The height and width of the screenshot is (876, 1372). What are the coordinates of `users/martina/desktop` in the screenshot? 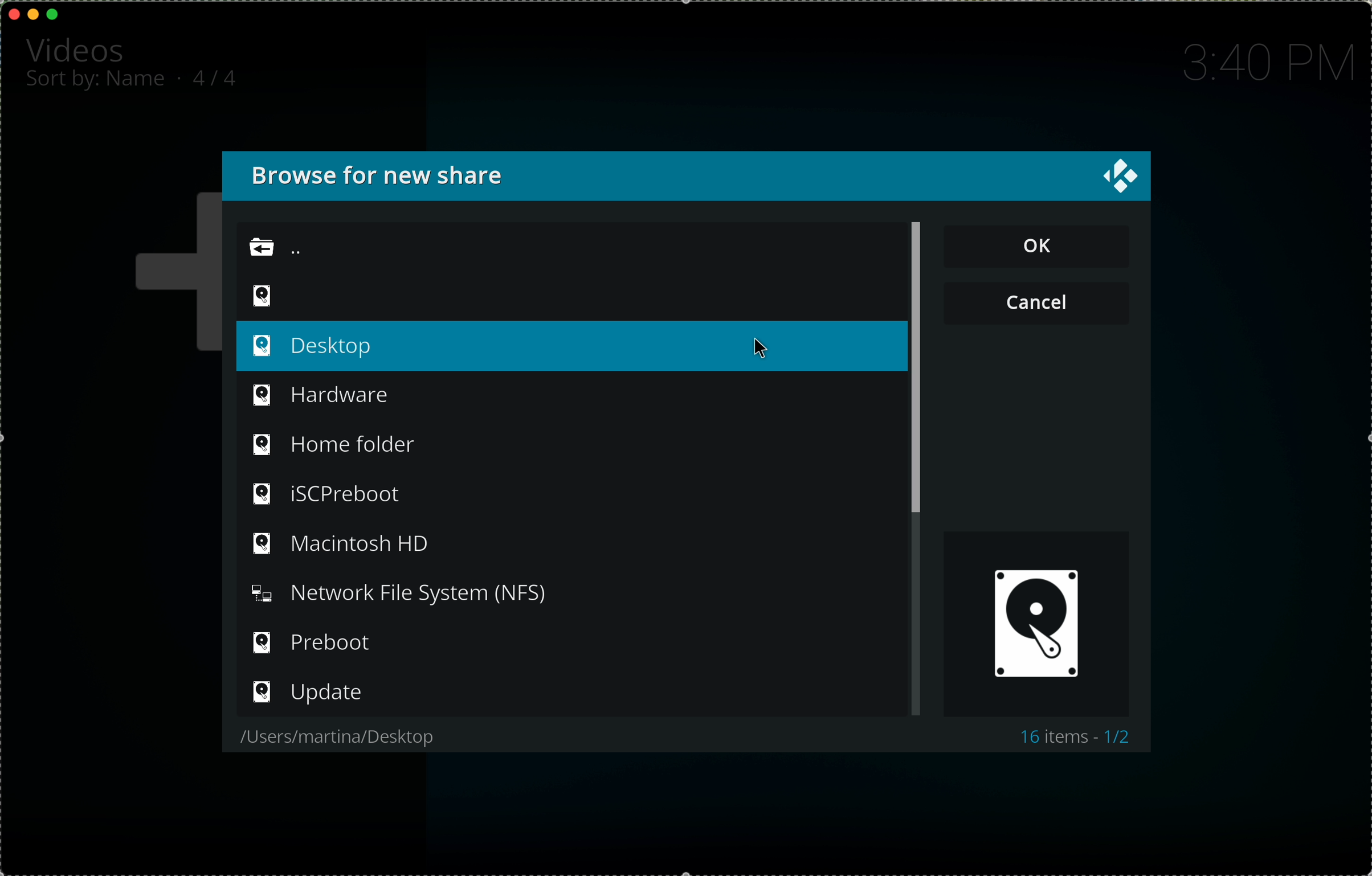 It's located at (334, 735).